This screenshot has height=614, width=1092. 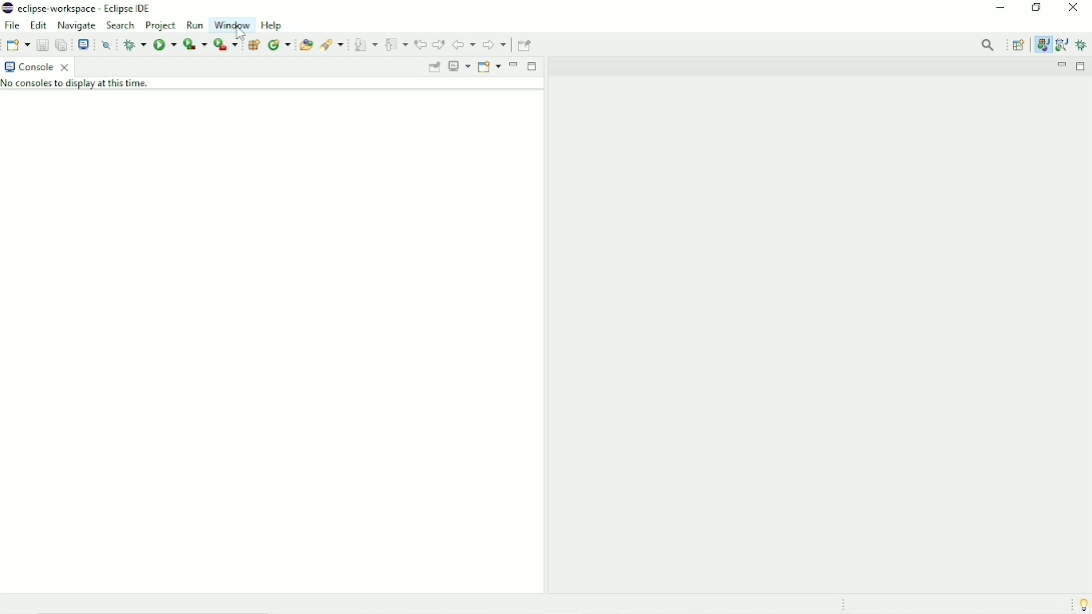 What do you see at coordinates (333, 45) in the screenshot?
I see `Search` at bounding box center [333, 45].